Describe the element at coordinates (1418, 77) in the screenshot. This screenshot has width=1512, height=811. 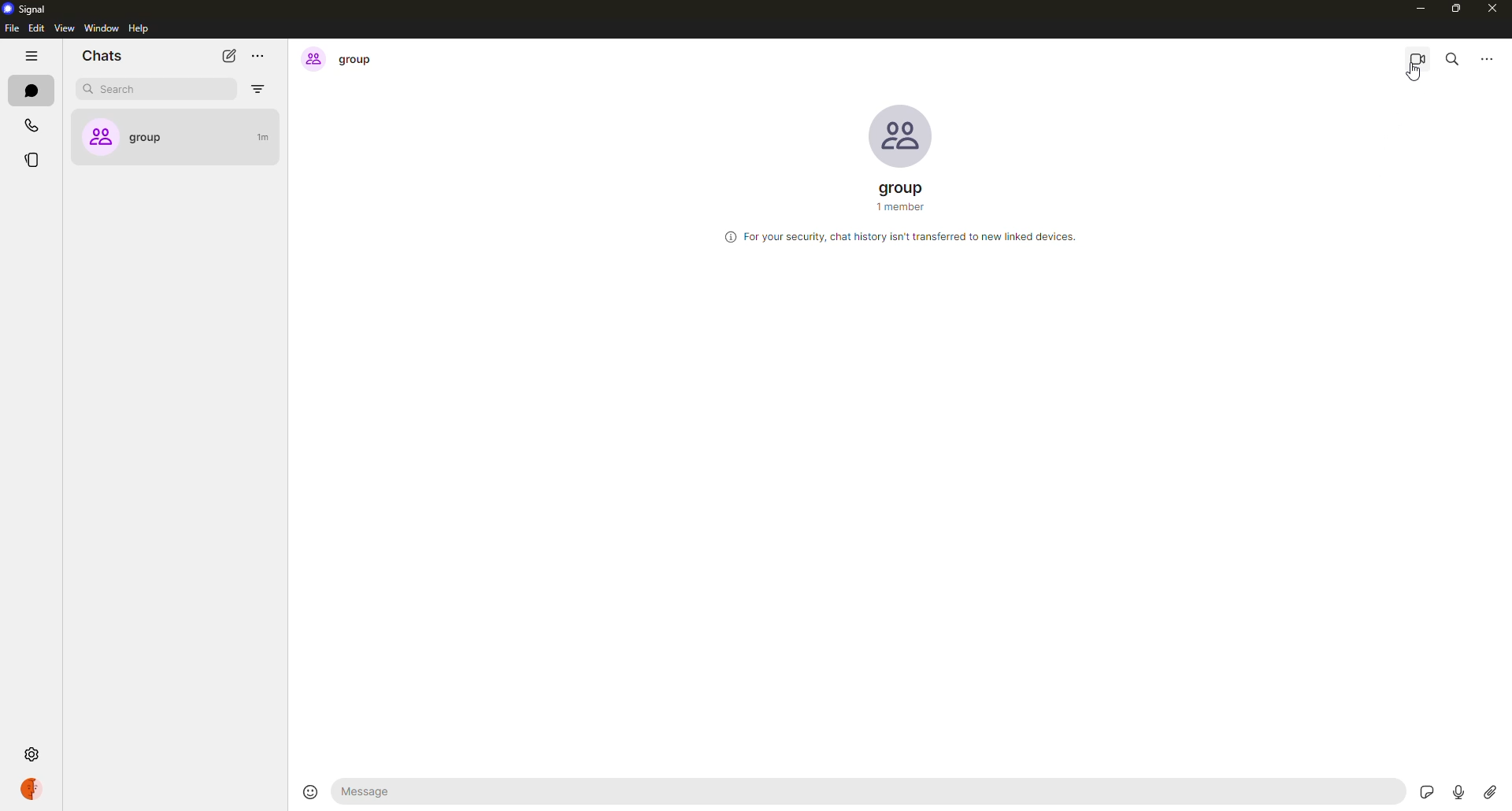
I see `cursor` at that location.